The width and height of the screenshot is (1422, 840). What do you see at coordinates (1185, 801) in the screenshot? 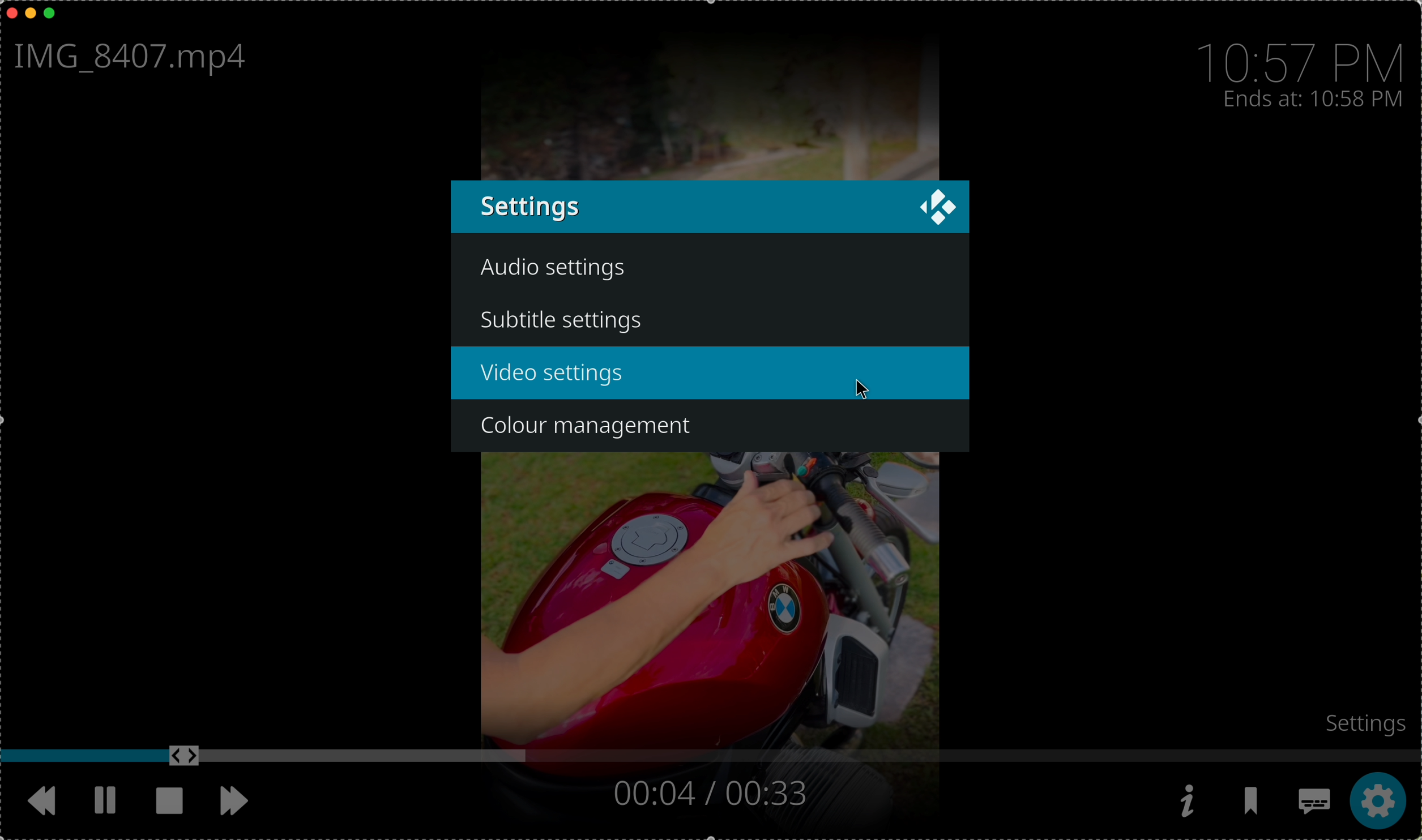
I see `information` at bounding box center [1185, 801].